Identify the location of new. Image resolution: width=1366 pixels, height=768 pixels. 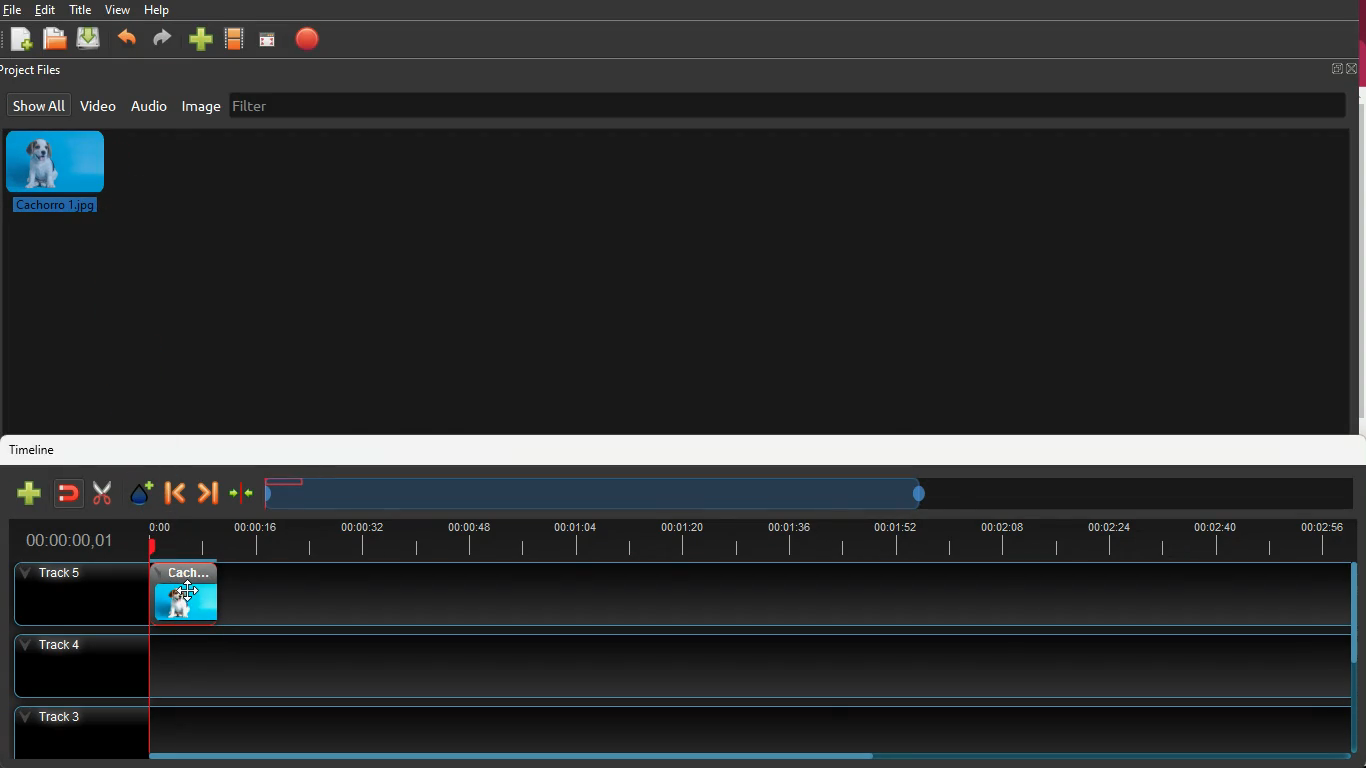
(20, 41).